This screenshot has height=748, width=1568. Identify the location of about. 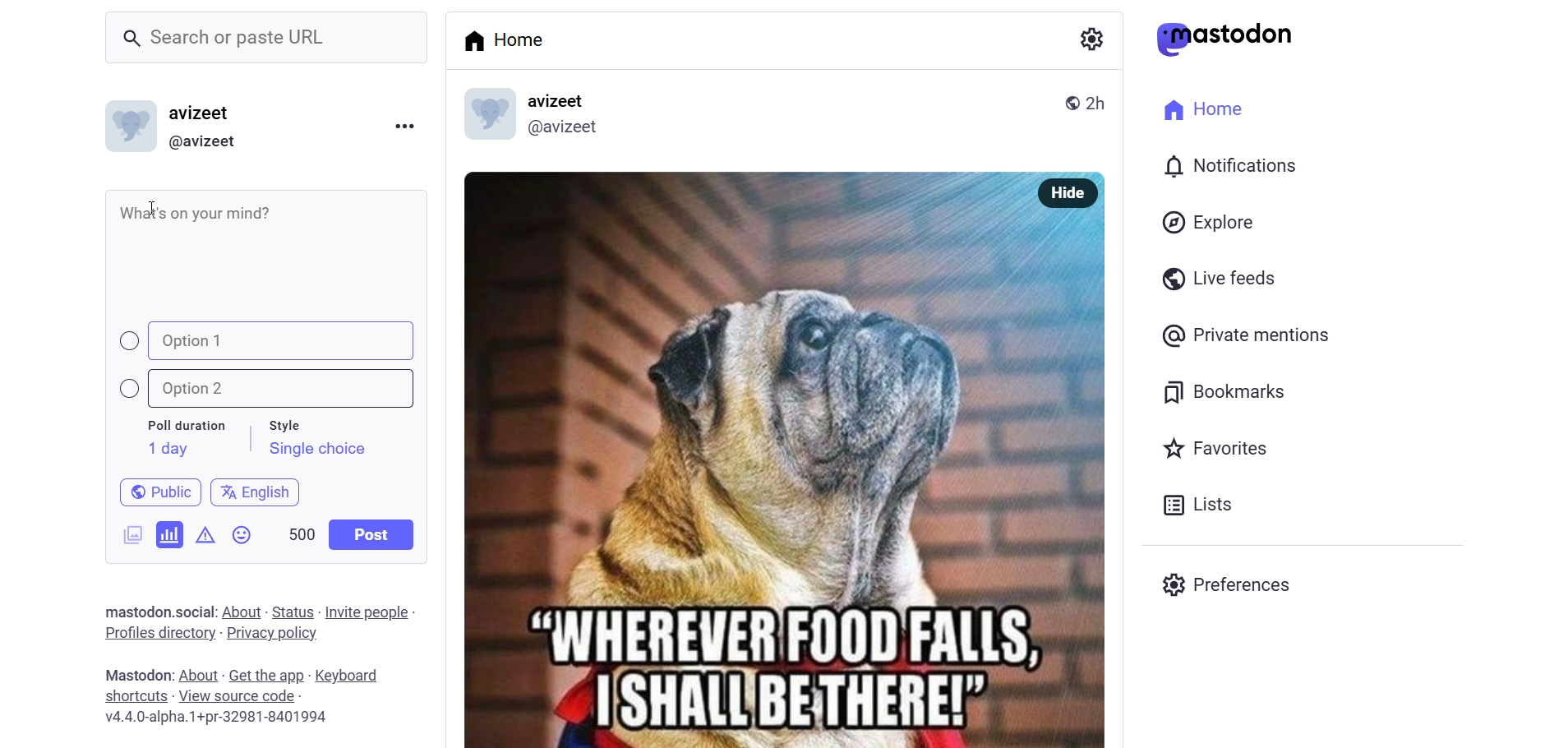
(240, 612).